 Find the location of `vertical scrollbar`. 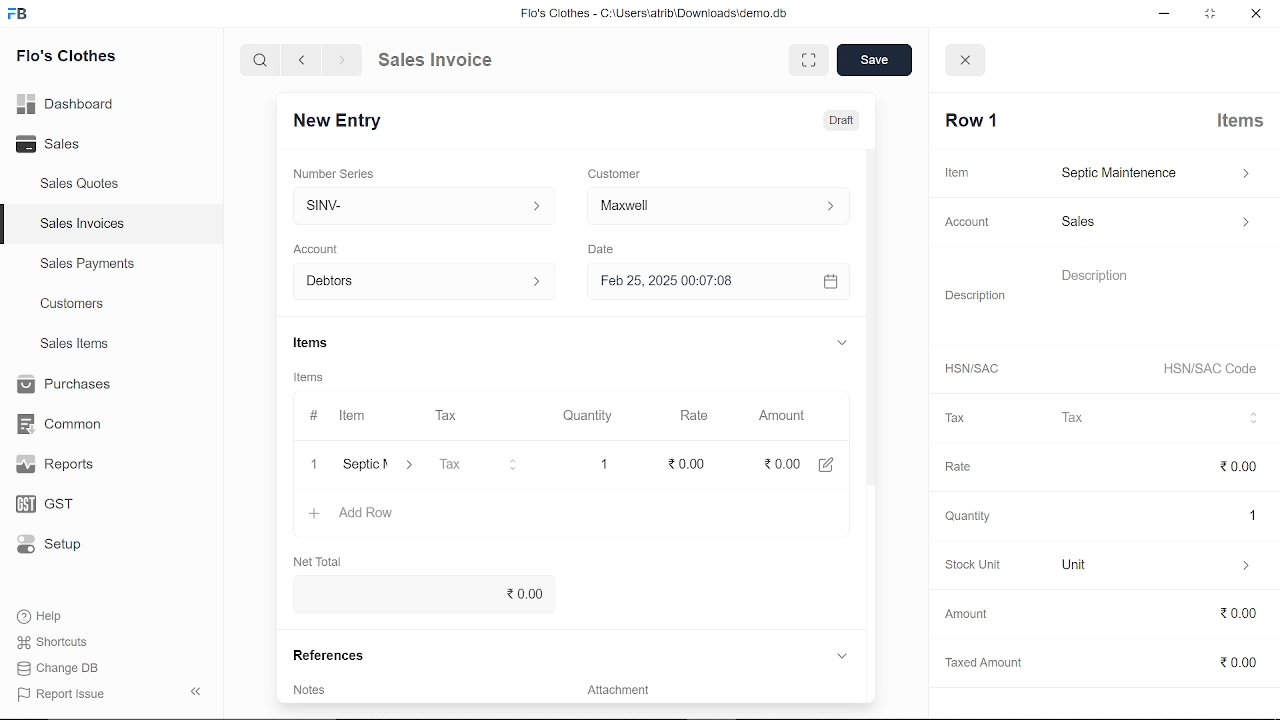

vertical scrollbar is located at coordinates (875, 325).